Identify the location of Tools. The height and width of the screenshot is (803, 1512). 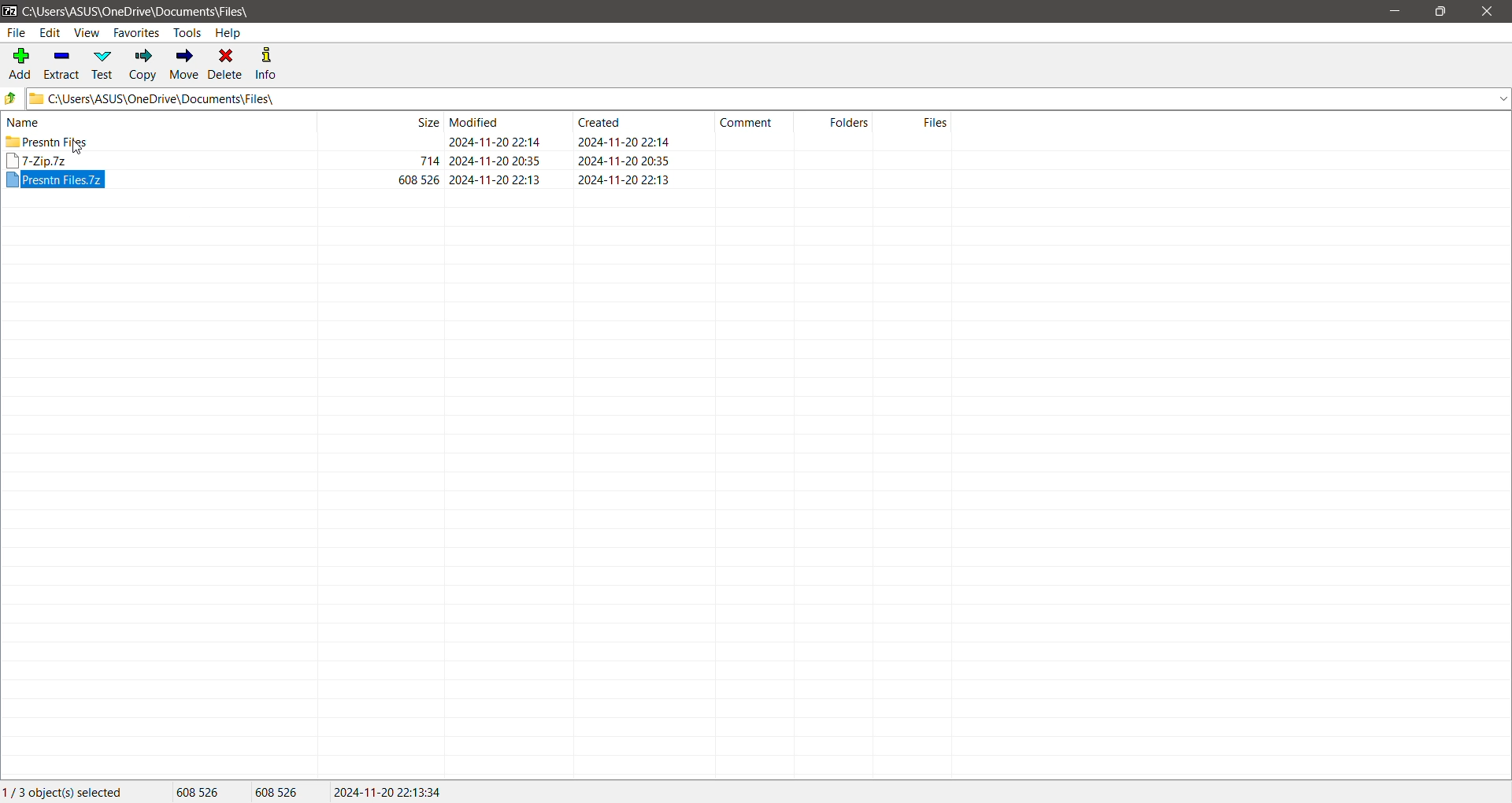
(187, 33).